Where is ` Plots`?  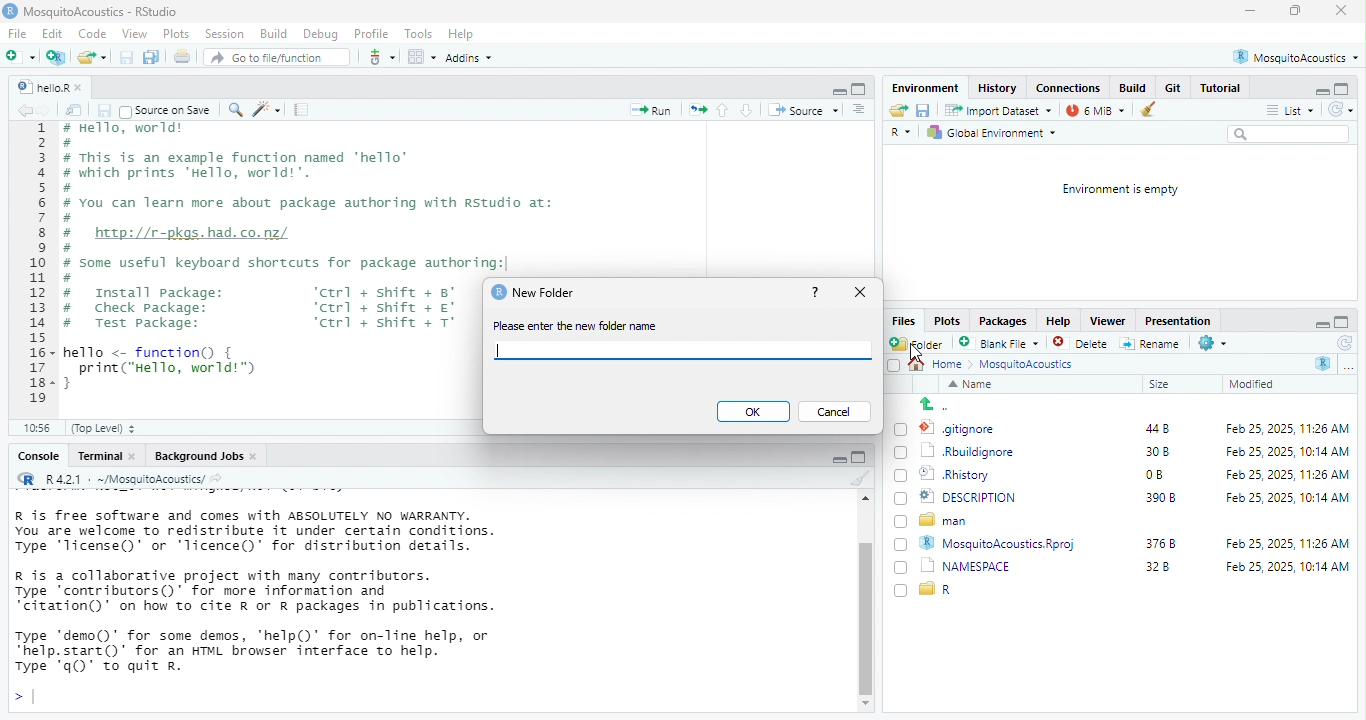  Plots is located at coordinates (948, 321).